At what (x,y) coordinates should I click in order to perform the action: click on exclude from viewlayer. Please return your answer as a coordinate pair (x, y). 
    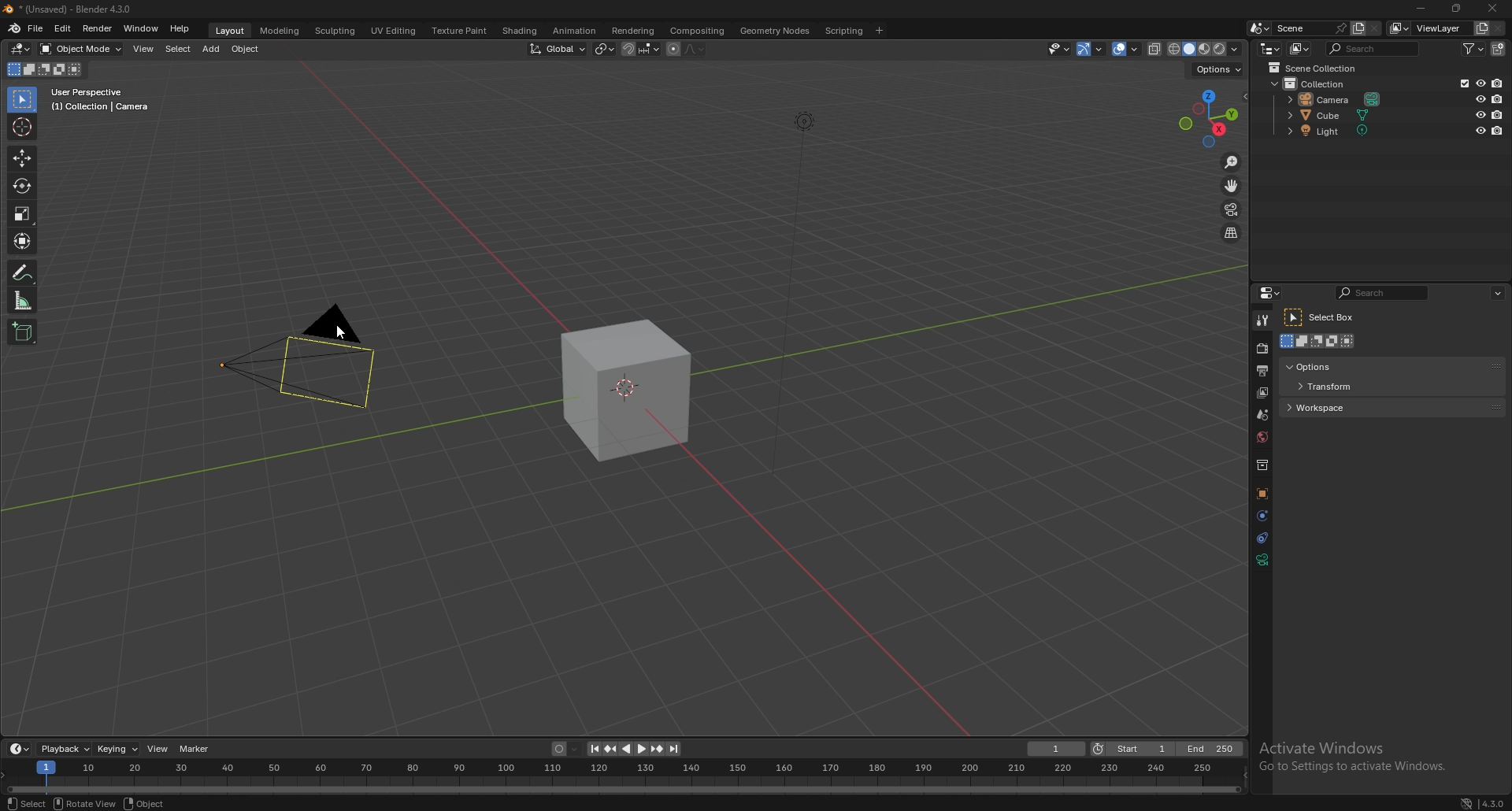
    Looking at the image, I should click on (1459, 83).